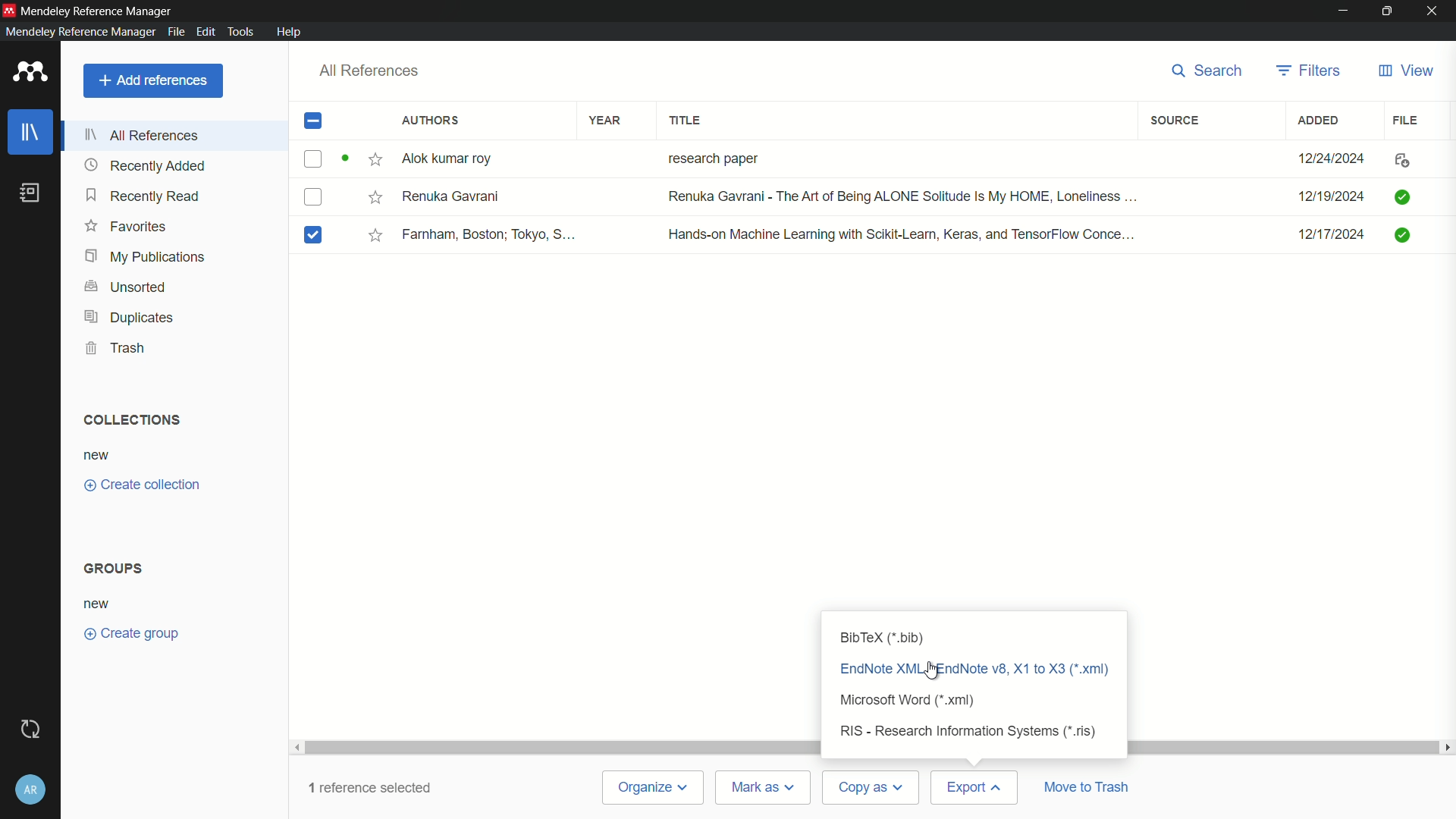 The height and width of the screenshot is (819, 1456). I want to click on app icon, so click(9, 11).